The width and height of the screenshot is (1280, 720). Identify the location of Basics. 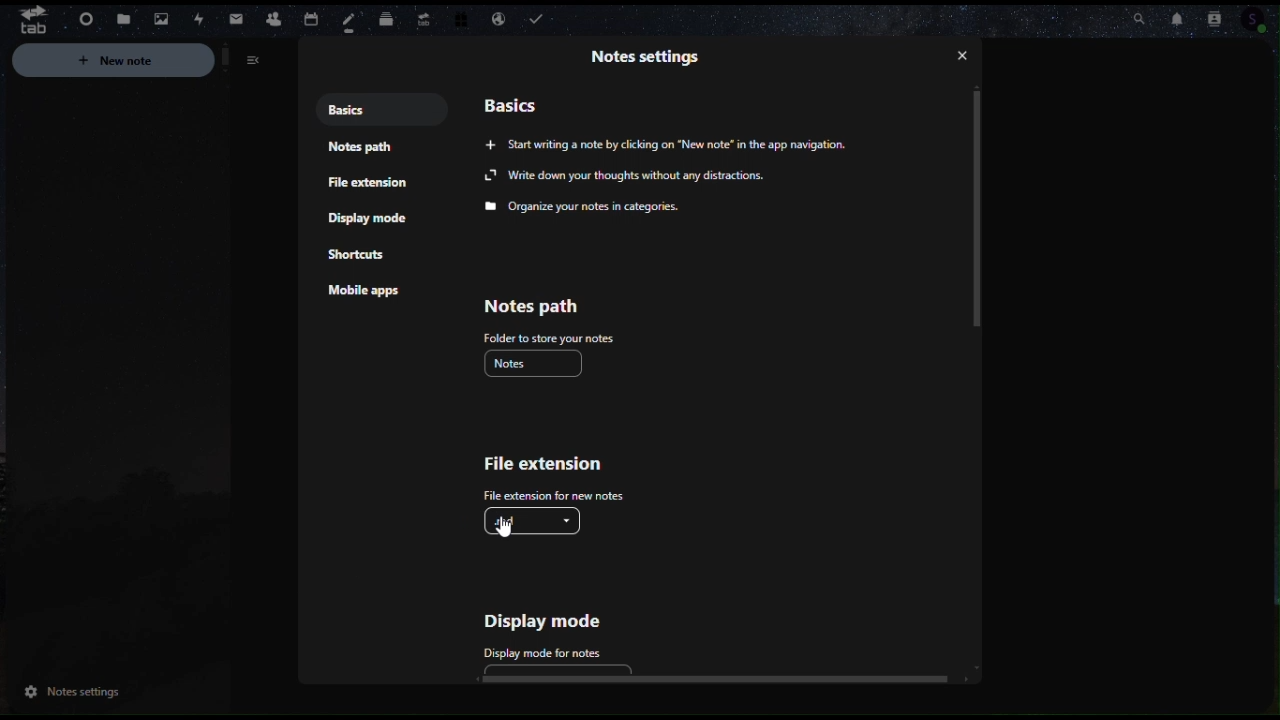
(359, 103).